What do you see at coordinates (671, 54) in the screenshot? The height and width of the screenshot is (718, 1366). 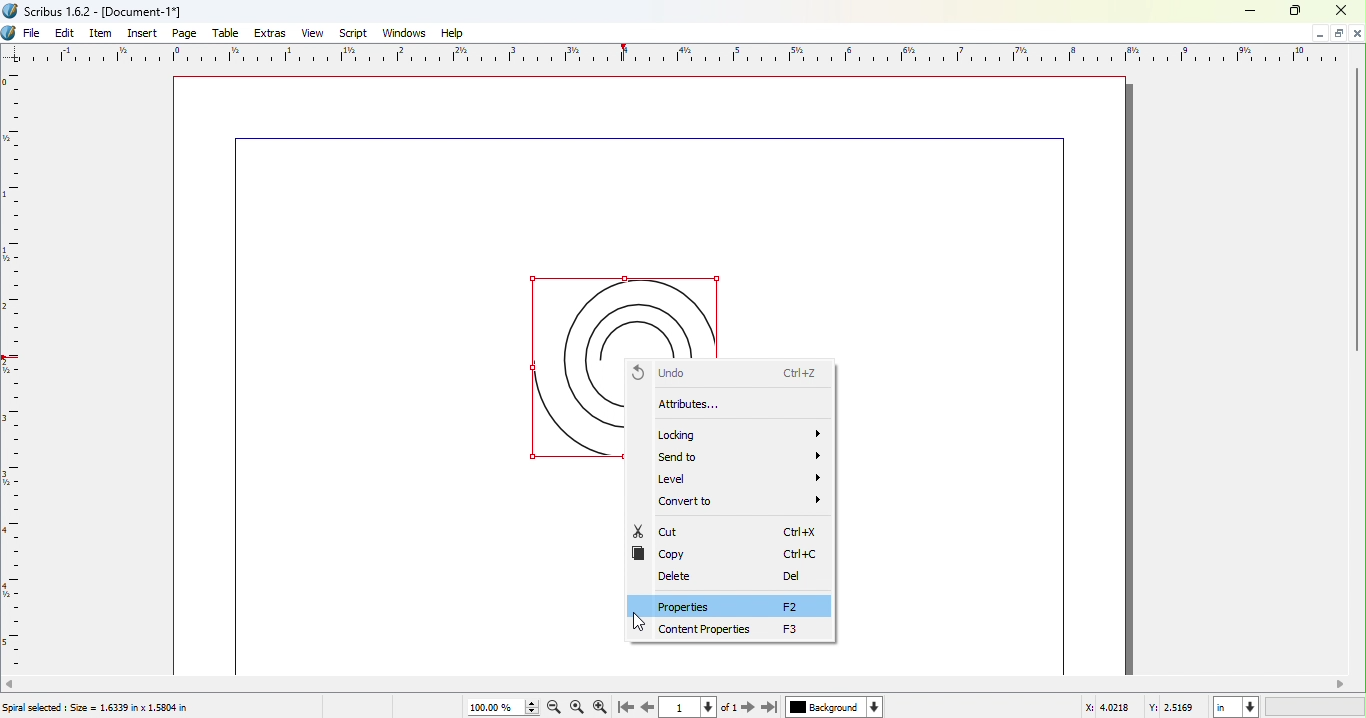 I see `Horizontal ruler` at bounding box center [671, 54].